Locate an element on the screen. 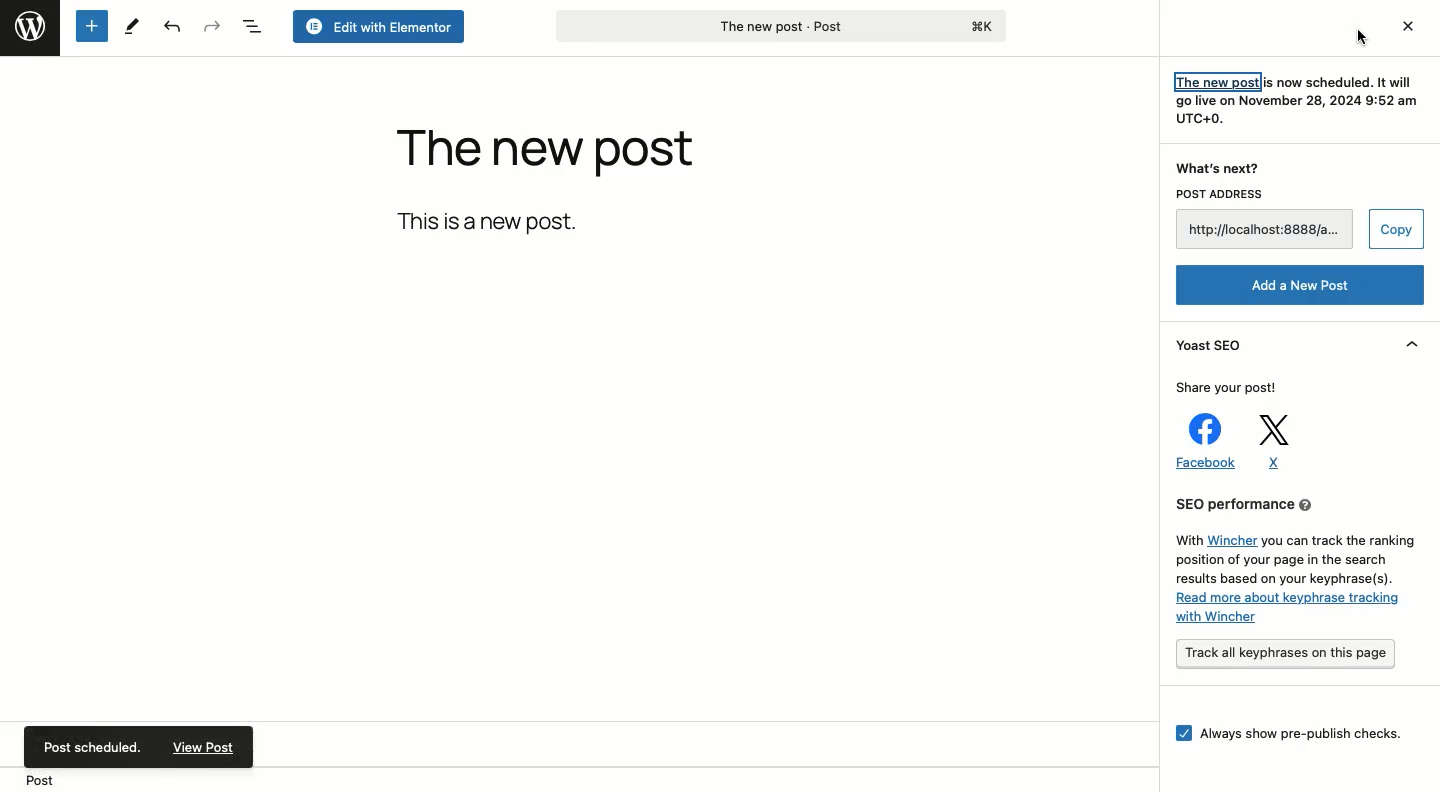  Copy is located at coordinates (1394, 229).